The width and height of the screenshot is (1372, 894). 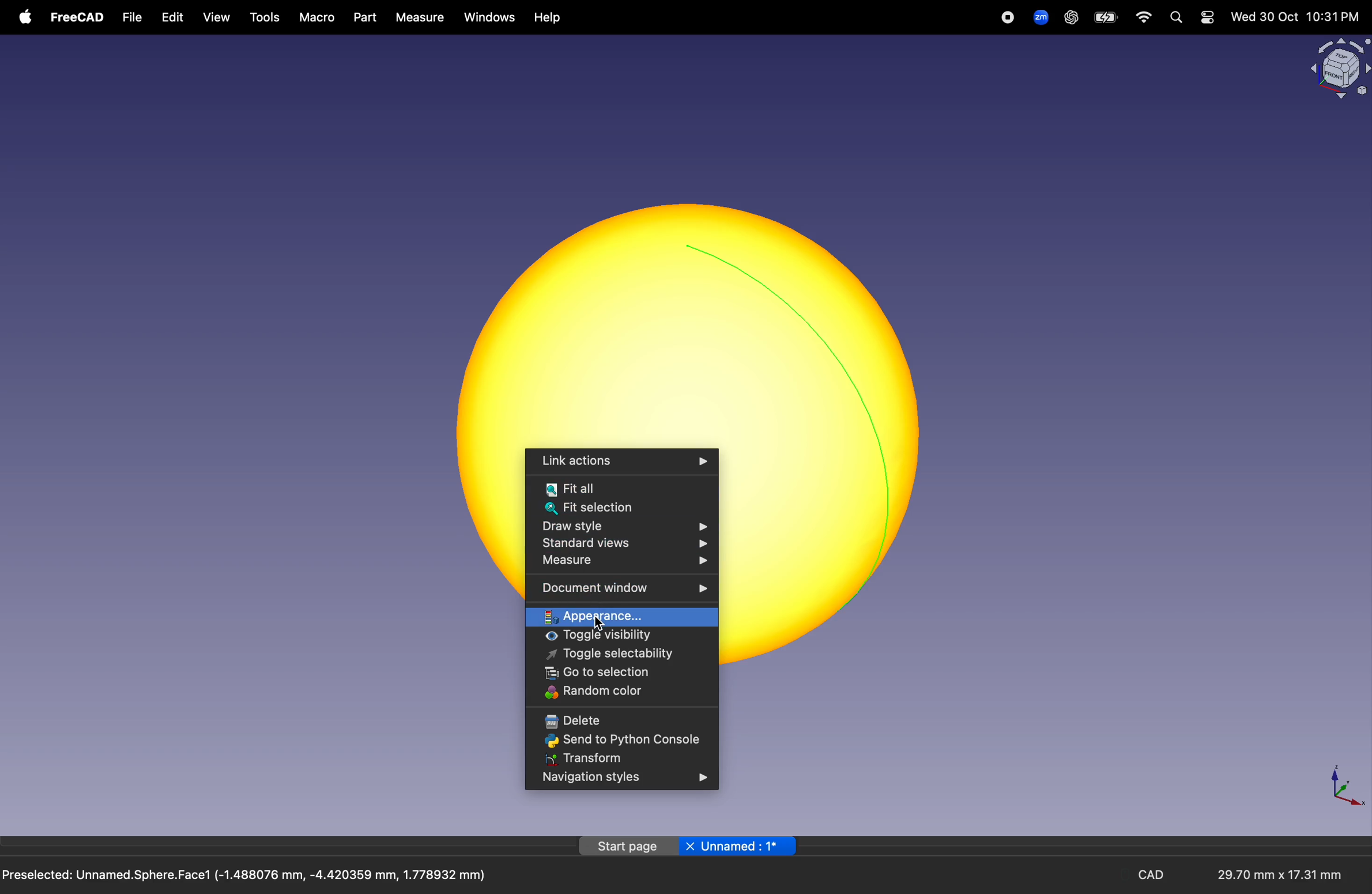 What do you see at coordinates (621, 489) in the screenshot?
I see `fit all` at bounding box center [621, 489].